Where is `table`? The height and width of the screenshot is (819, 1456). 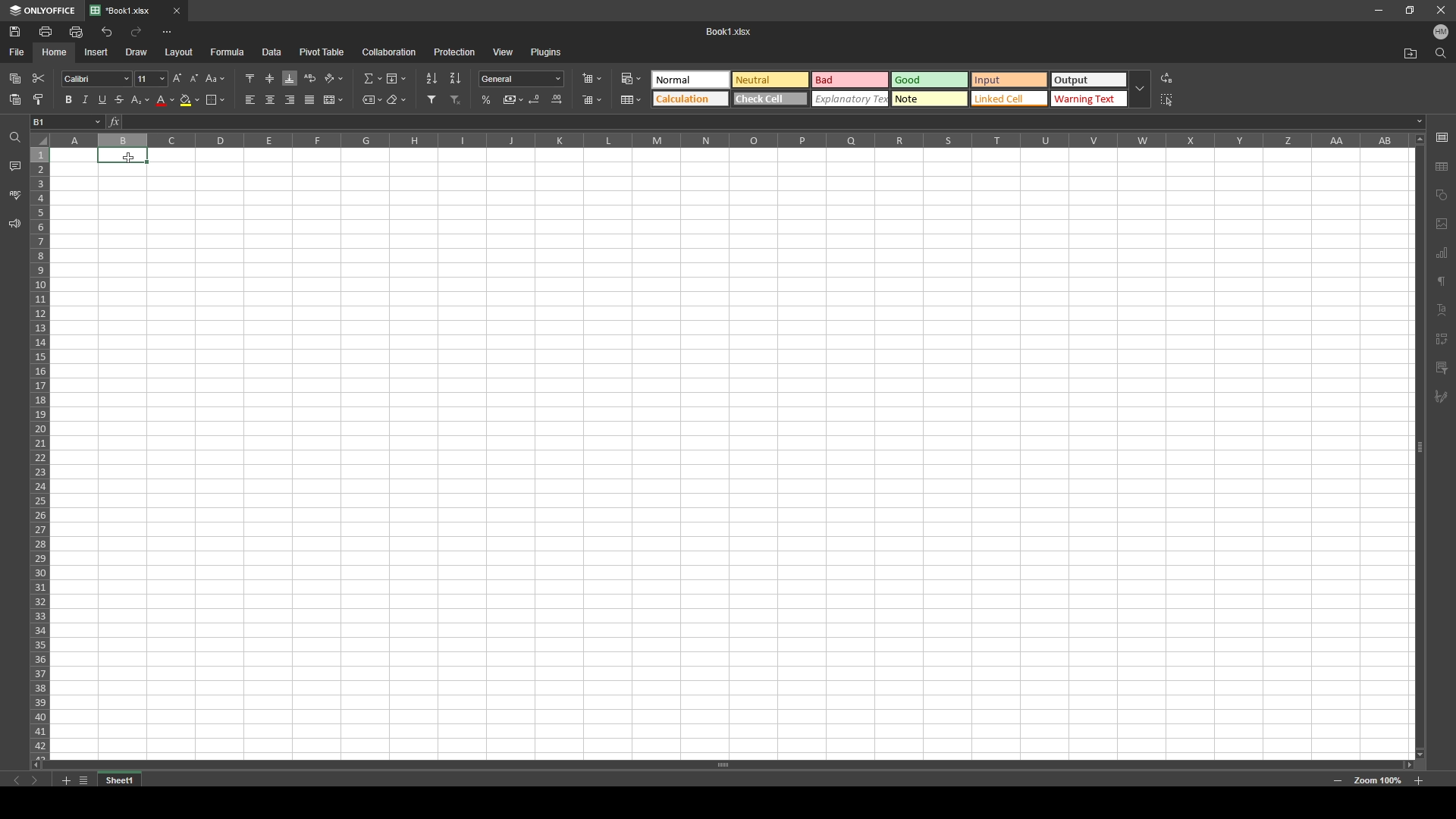
table is located at coordinates (1444, 164).